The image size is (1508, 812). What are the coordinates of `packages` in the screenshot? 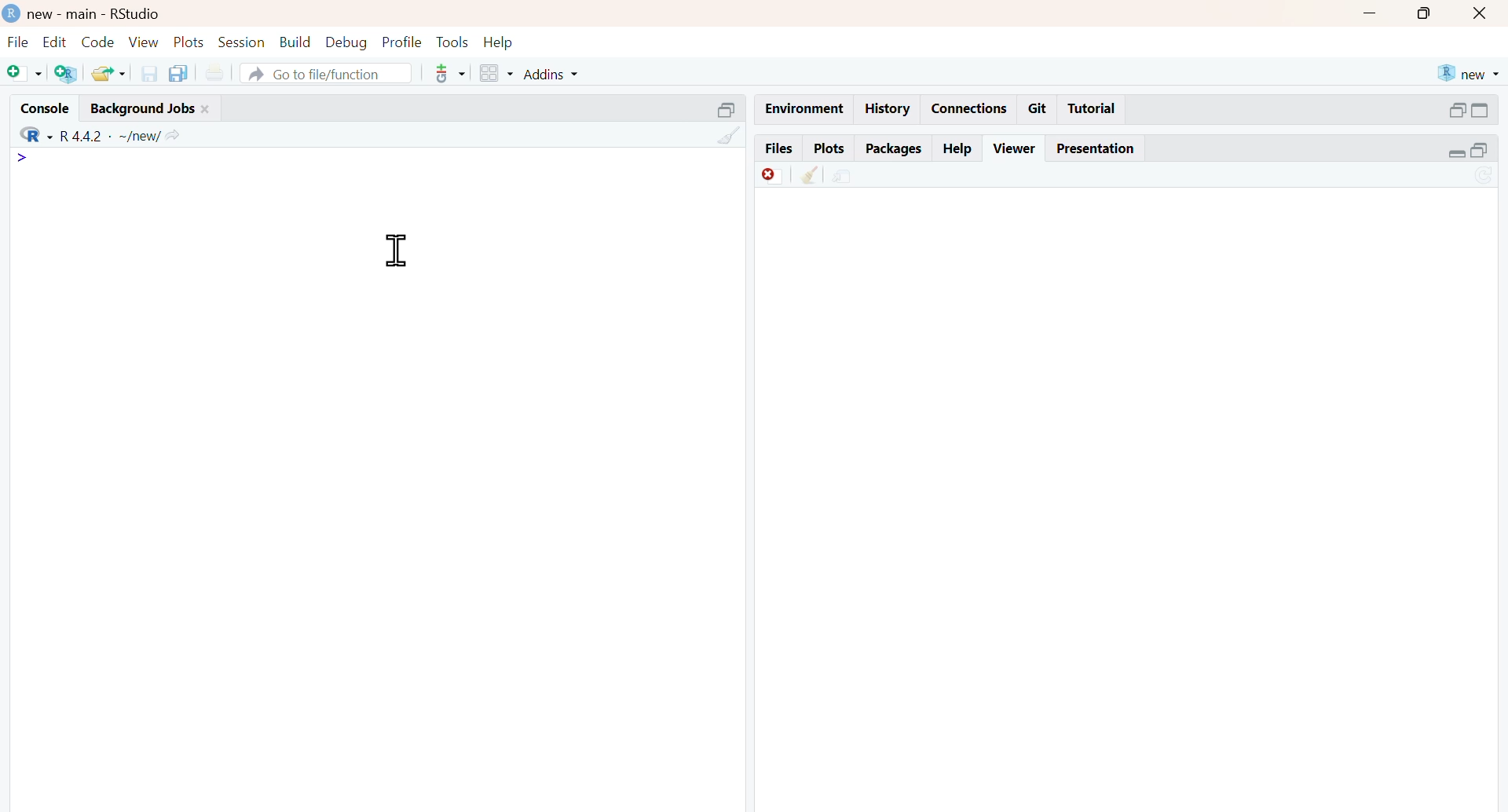 It's located at (894, 150).